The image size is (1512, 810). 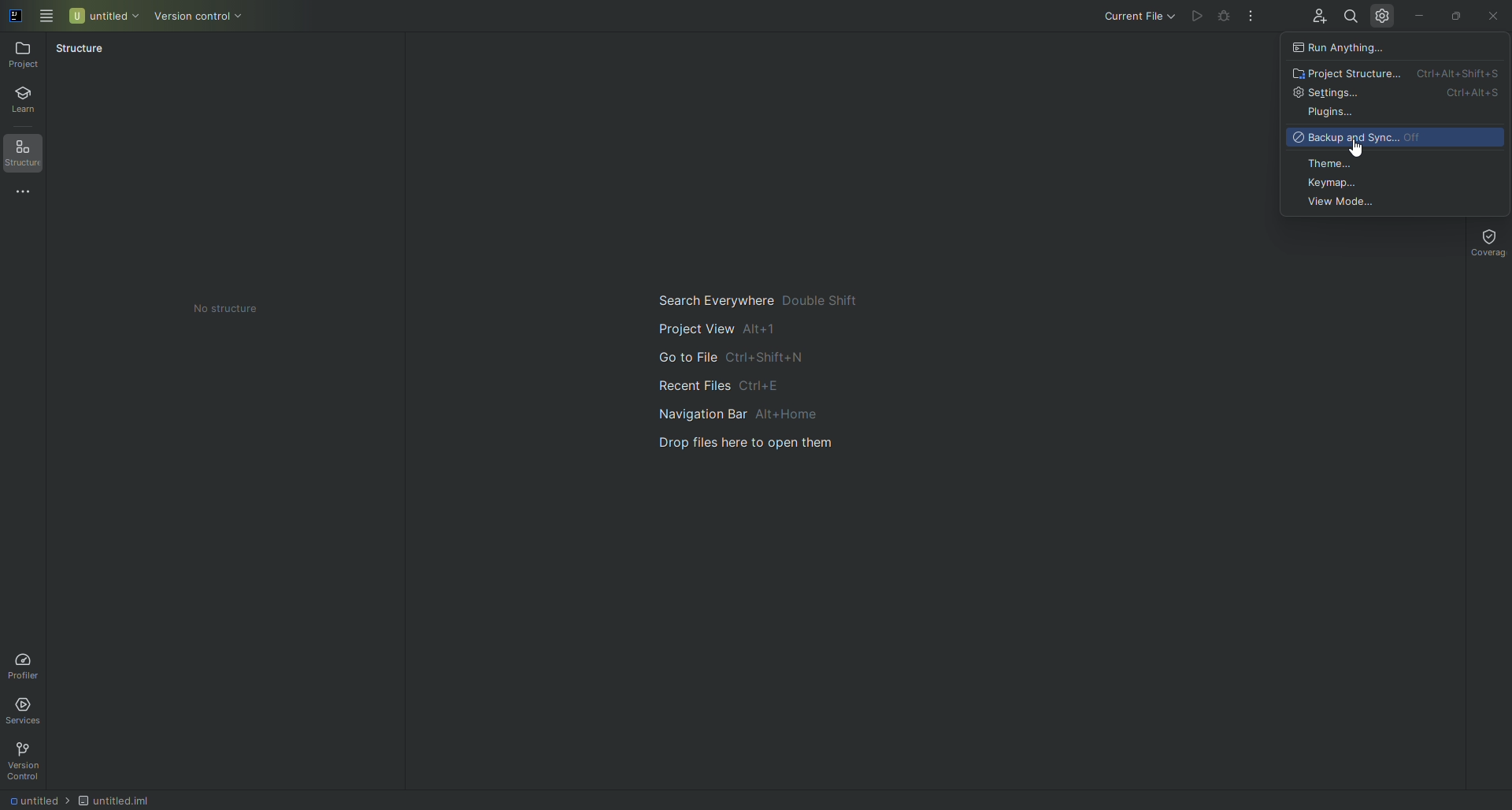 What do you see at coordinates (1125, 17) in the screenshot?
I see `Current File` at bounding box center [1125, 17].